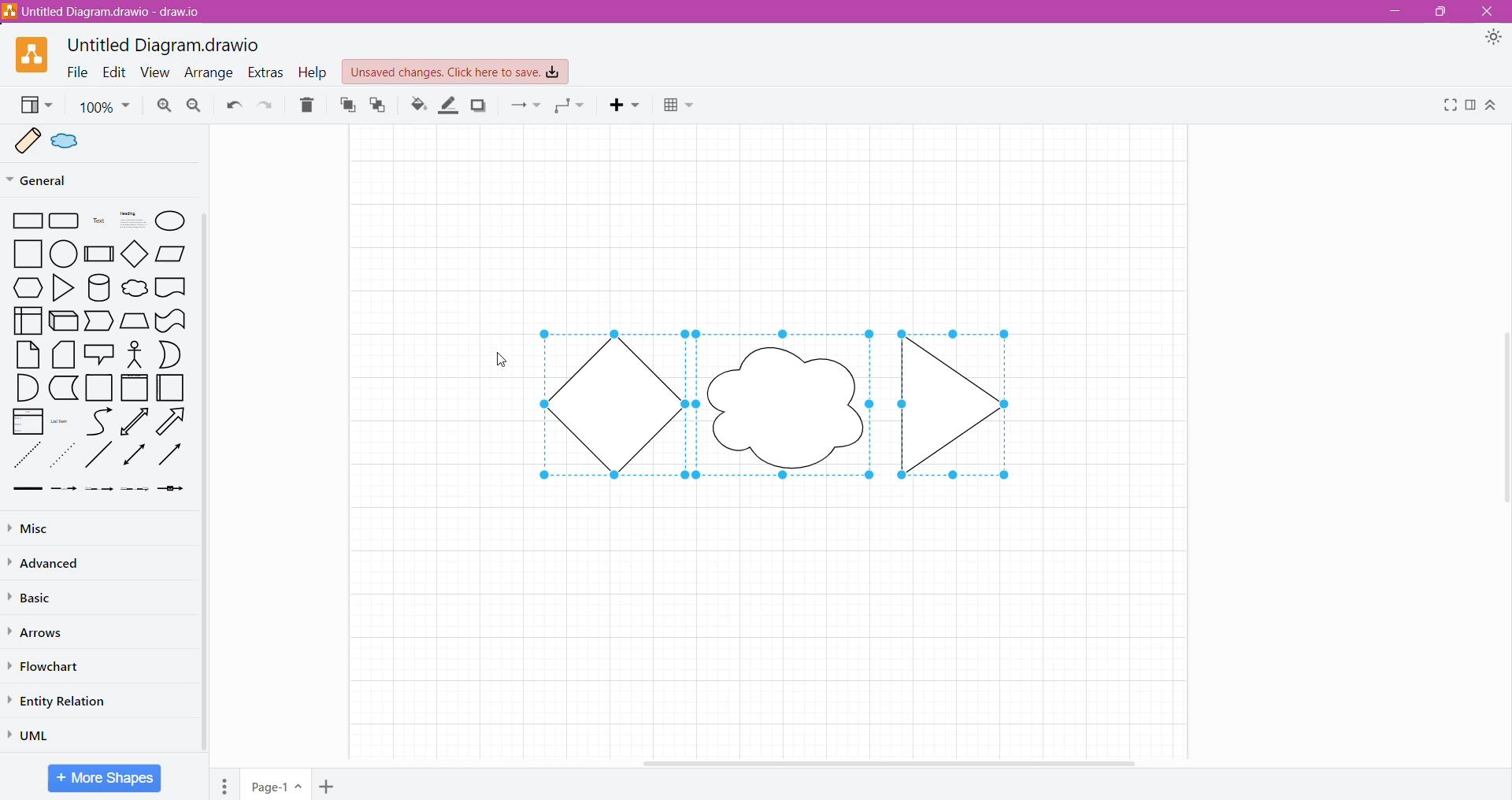  What do you see at coordinates (106, 107) in the screenshot?
I see `Zoom` at bounding box center [106, 107].